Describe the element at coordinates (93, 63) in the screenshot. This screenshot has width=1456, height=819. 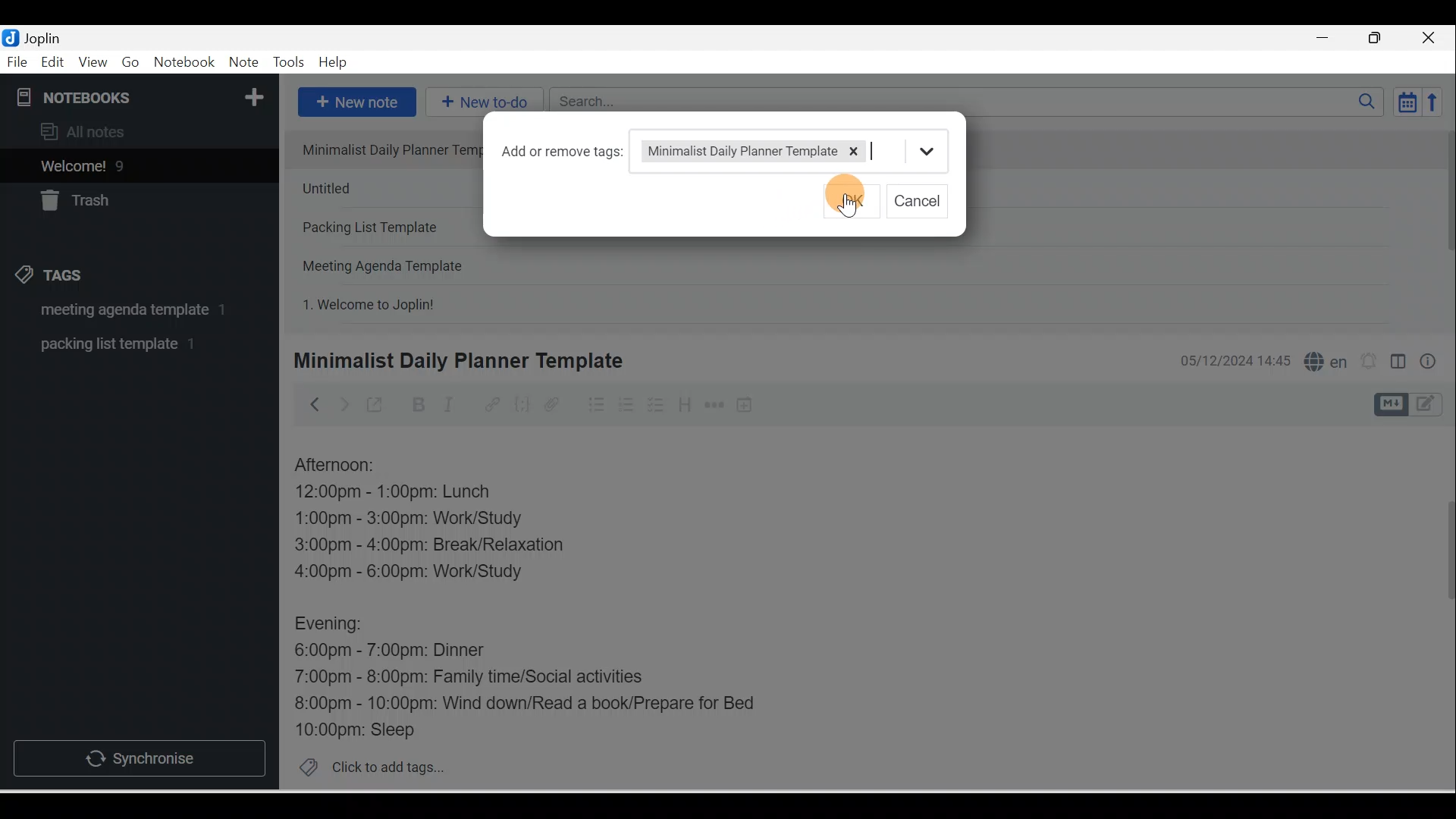
I see `View` at that location.